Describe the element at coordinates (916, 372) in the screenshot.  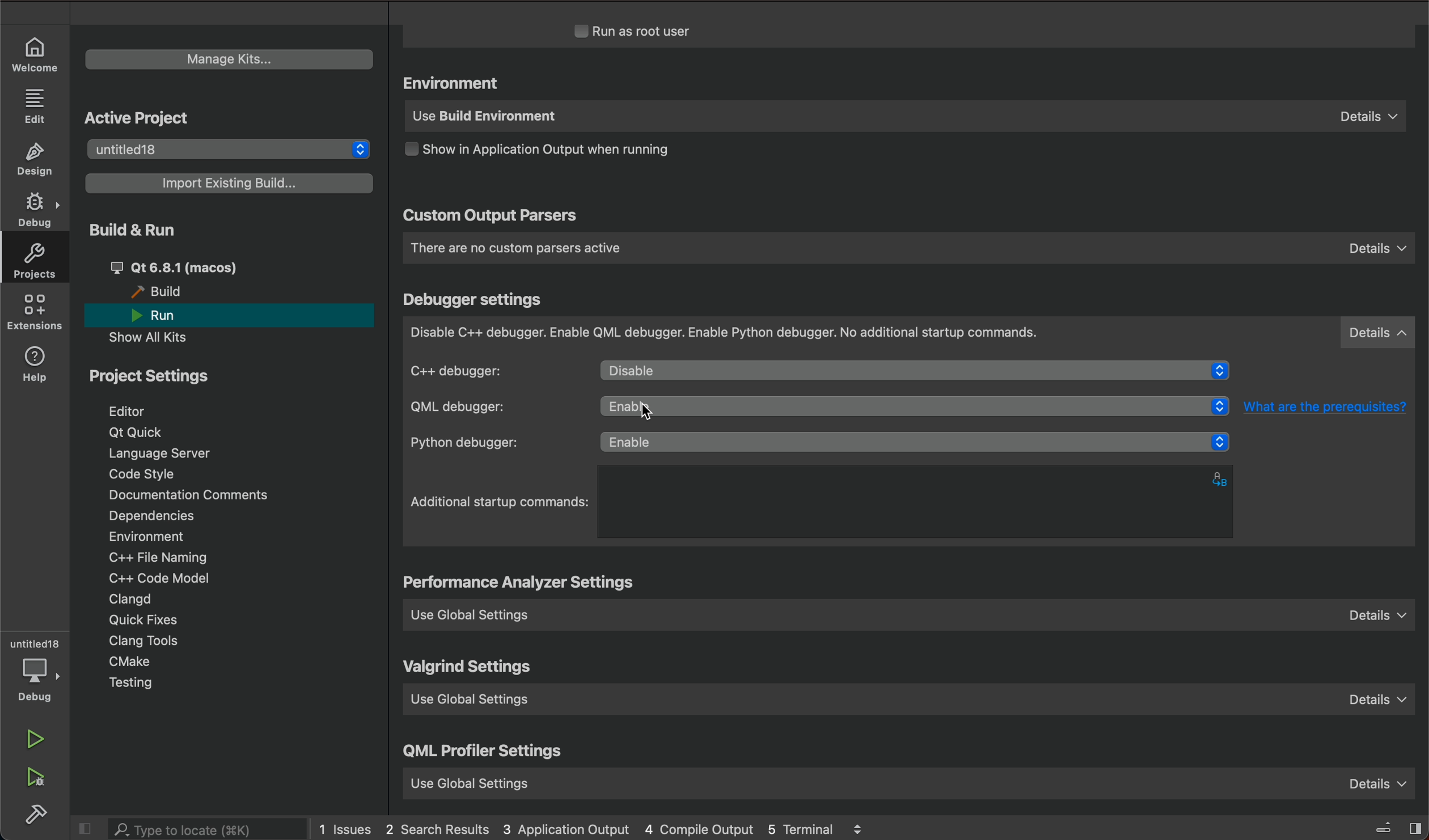
I see `diable` at that location.